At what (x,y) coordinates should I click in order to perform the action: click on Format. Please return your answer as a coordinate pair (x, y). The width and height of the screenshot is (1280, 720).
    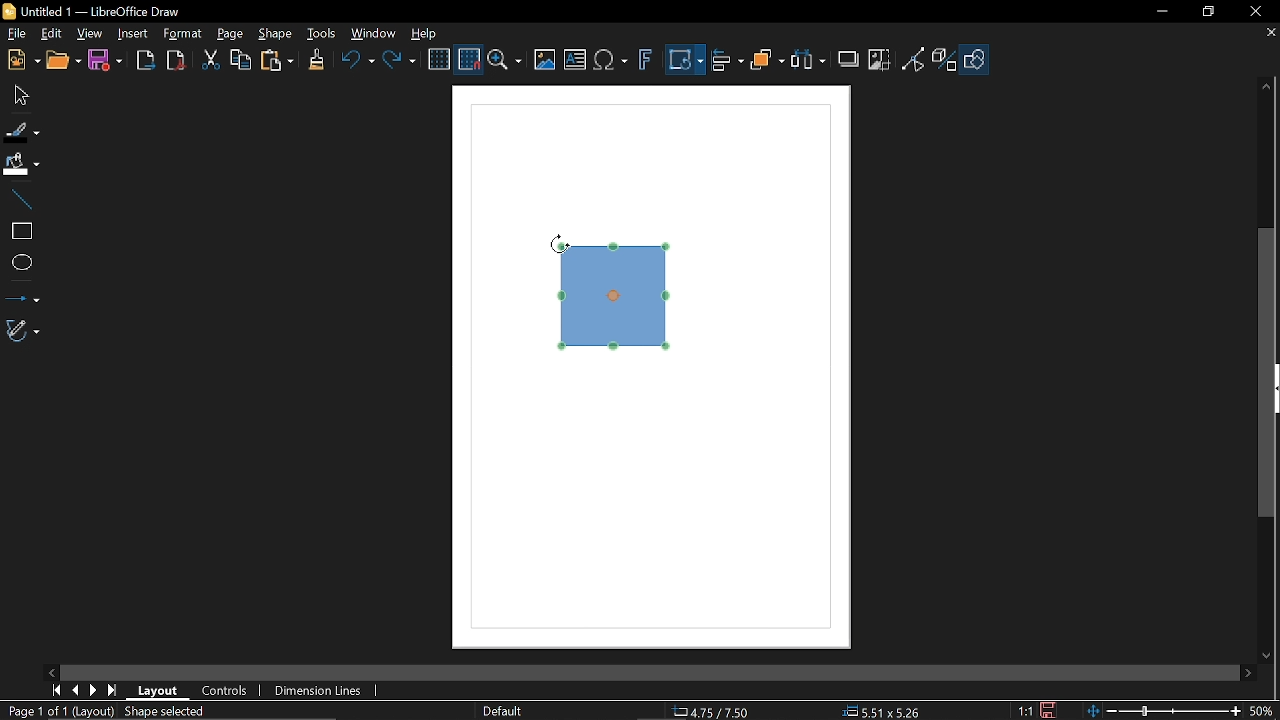
    Looking at the image, I should click on (182, 34).